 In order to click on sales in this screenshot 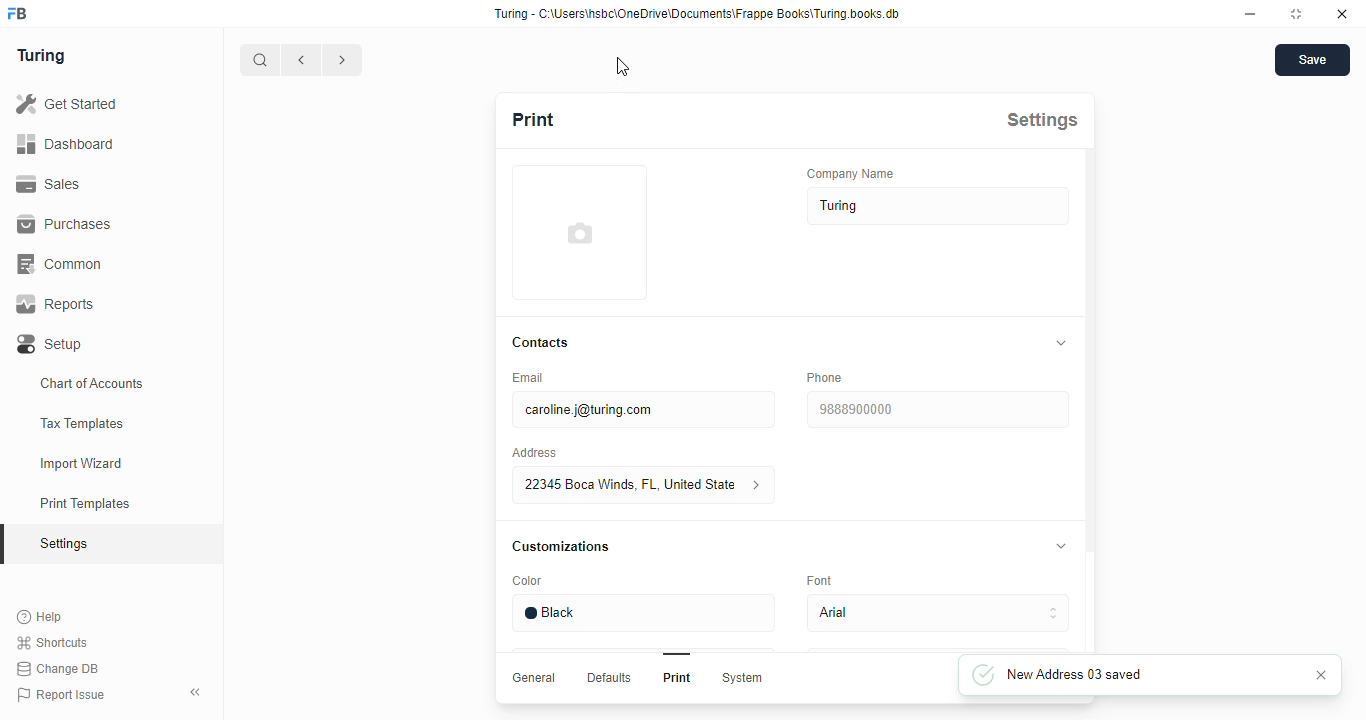, I will do `click(52, 184)`.